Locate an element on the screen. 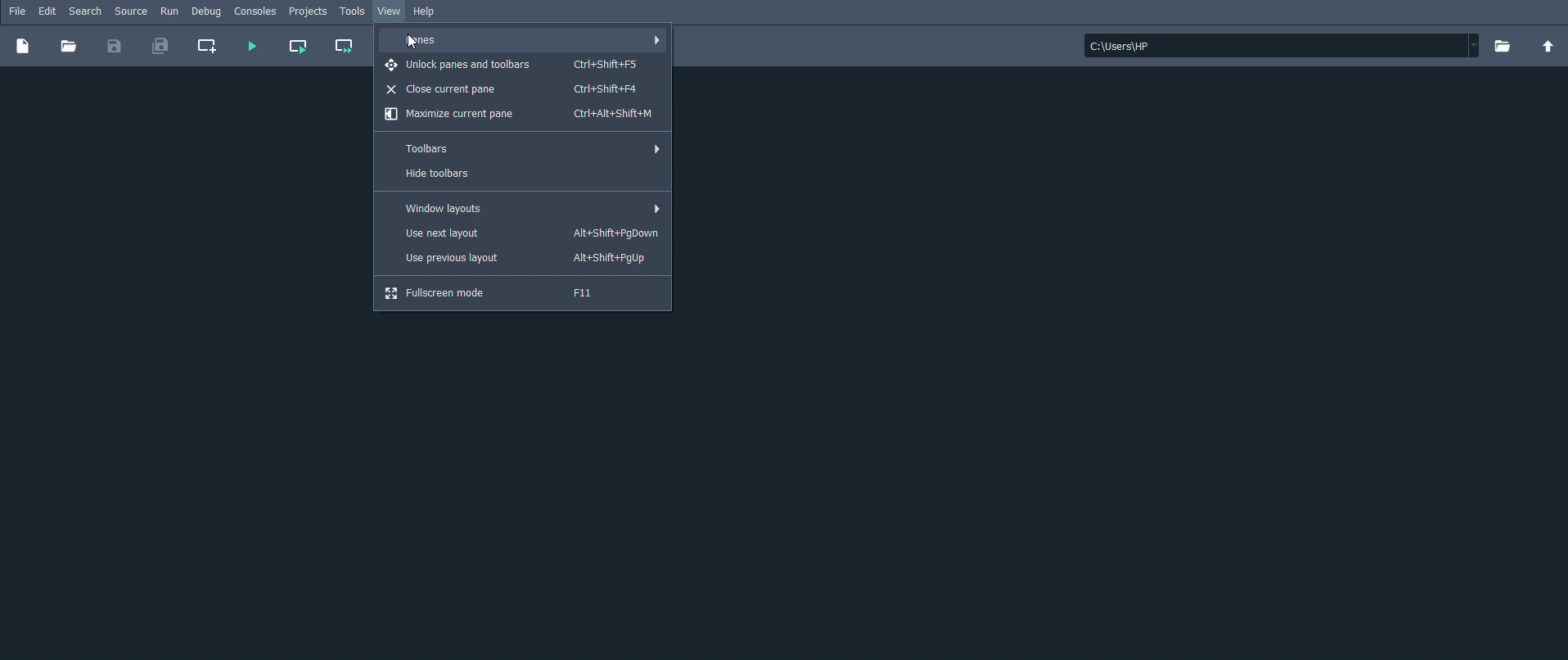 The width and height of the screenshot is (1568, 660). Tools is located at coordinates (354, 12).